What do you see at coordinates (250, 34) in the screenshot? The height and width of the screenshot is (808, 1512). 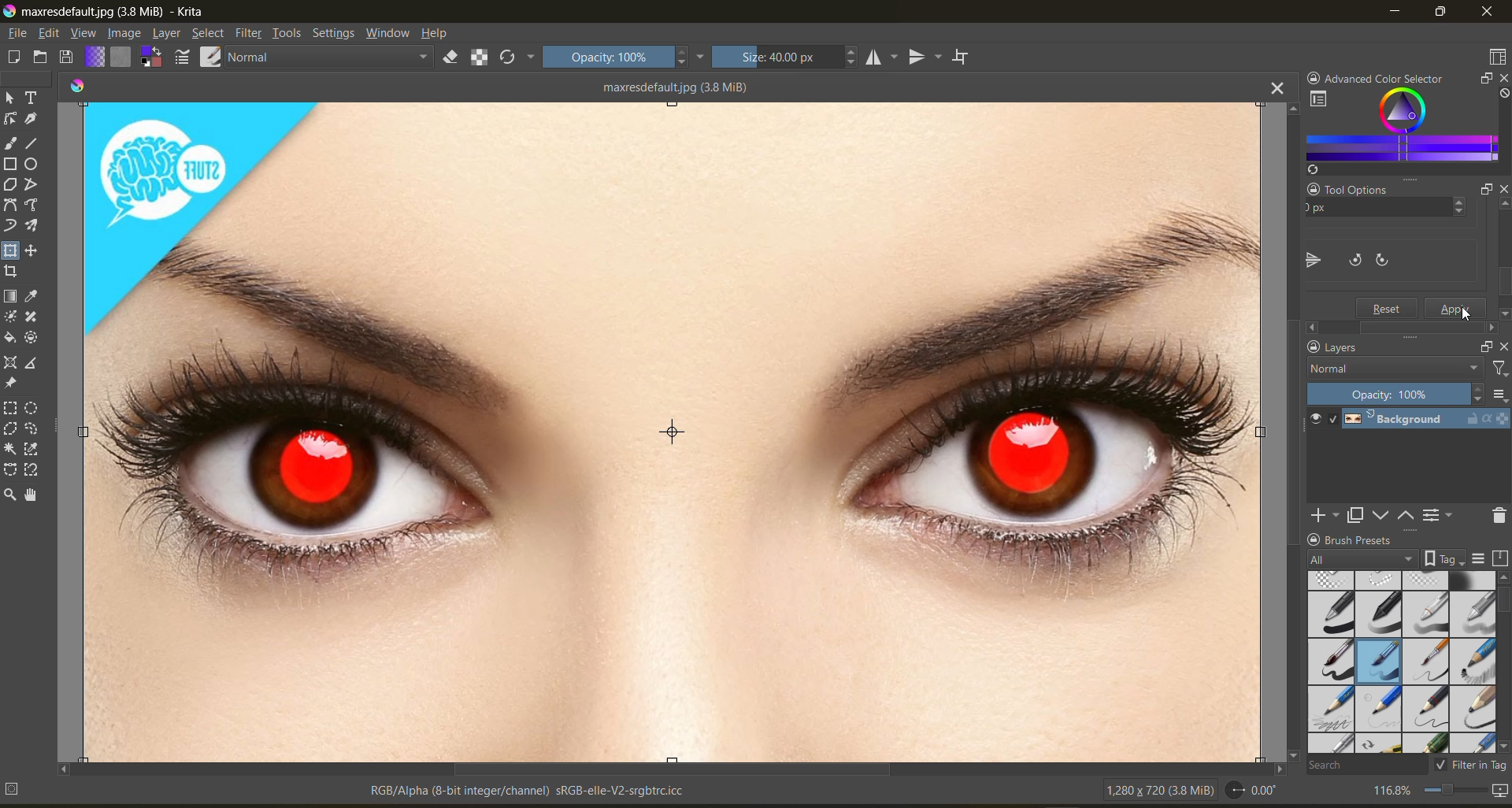 I see `filters` at bounding box center [250, 34].